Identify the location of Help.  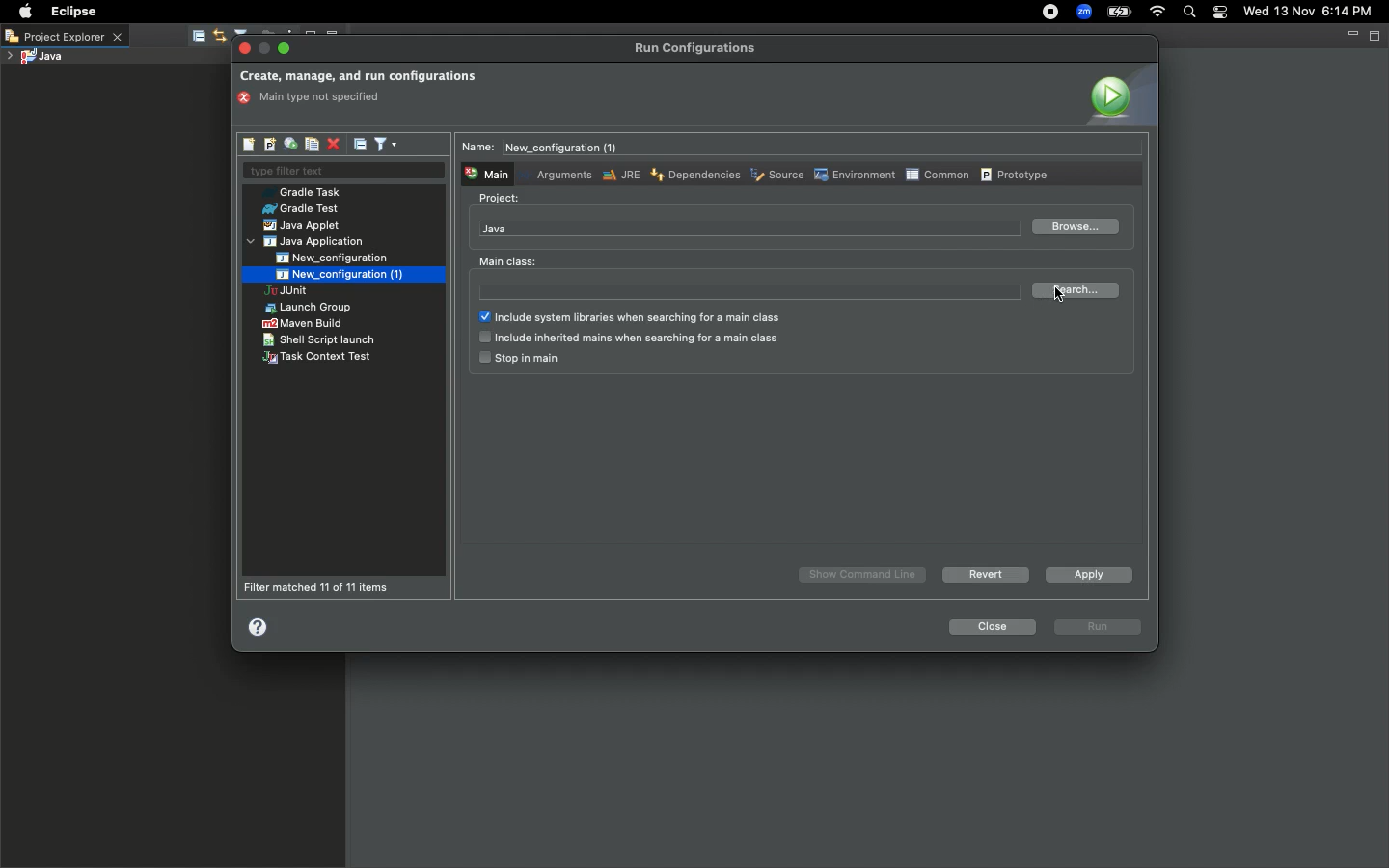
(259, 626).